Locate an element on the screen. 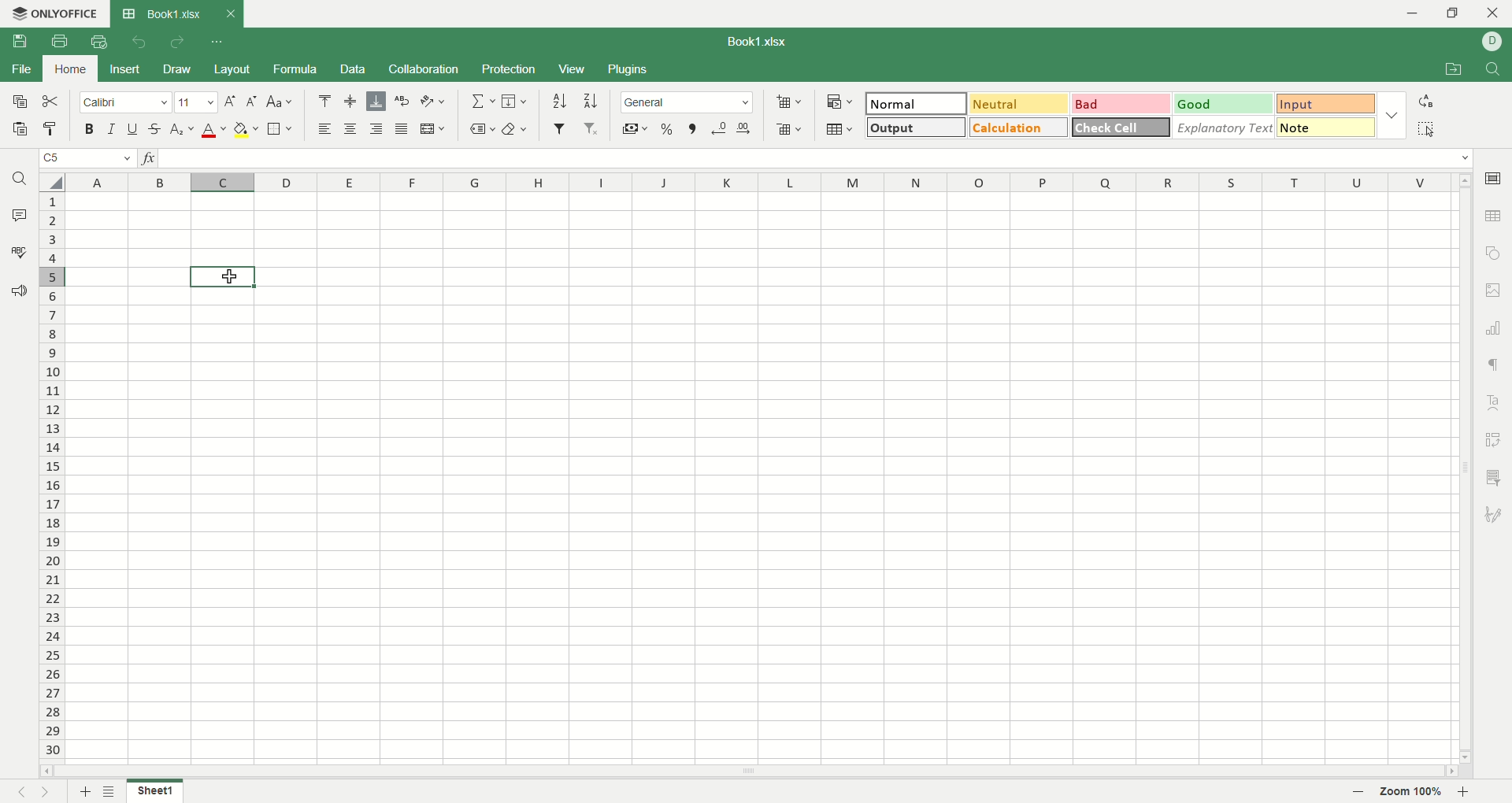 This screenshot has height=803, width=1512. select all is located at coordinates (1426, 128).